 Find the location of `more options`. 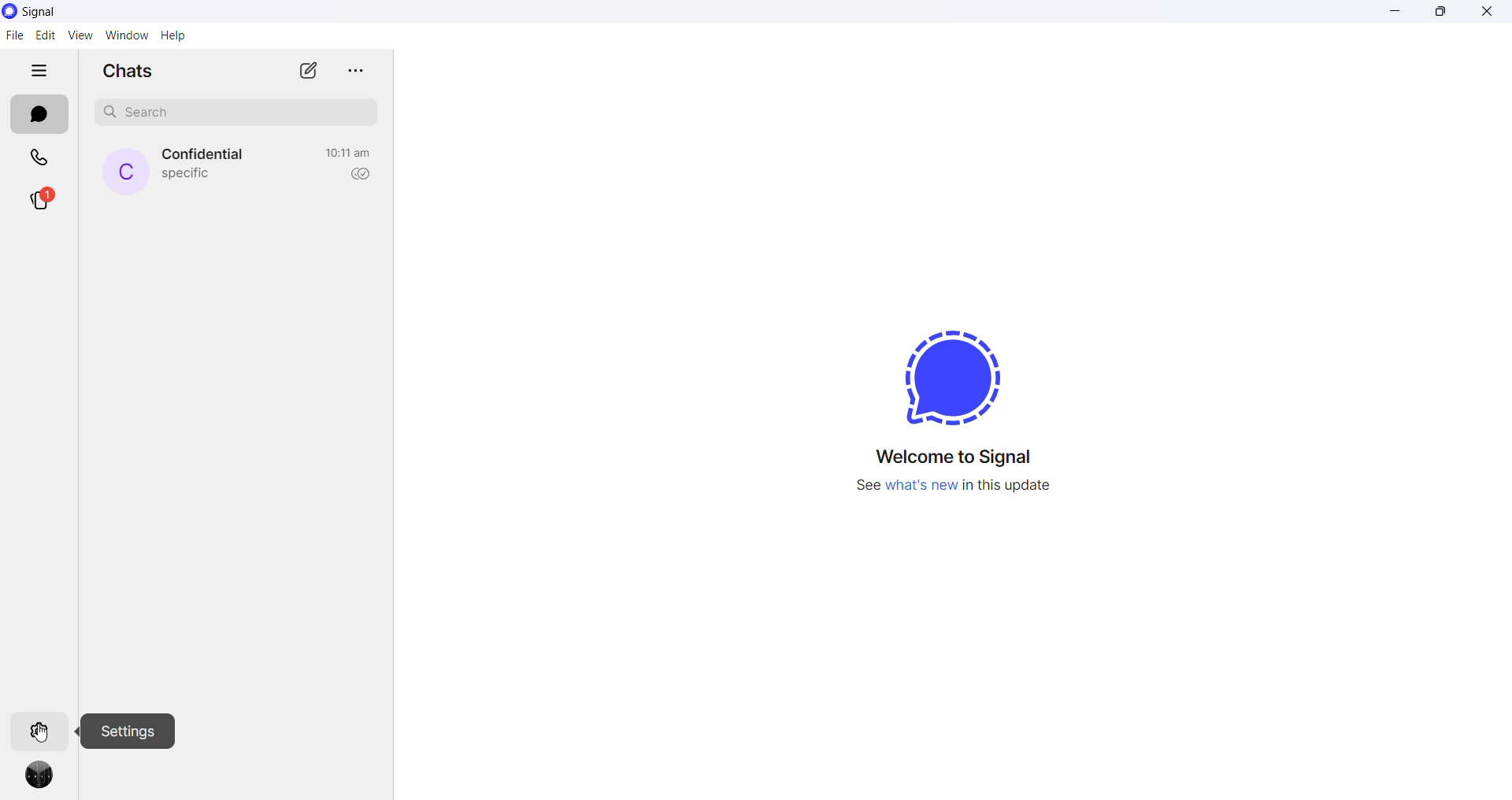

more options is located at coordinates (353, 70).